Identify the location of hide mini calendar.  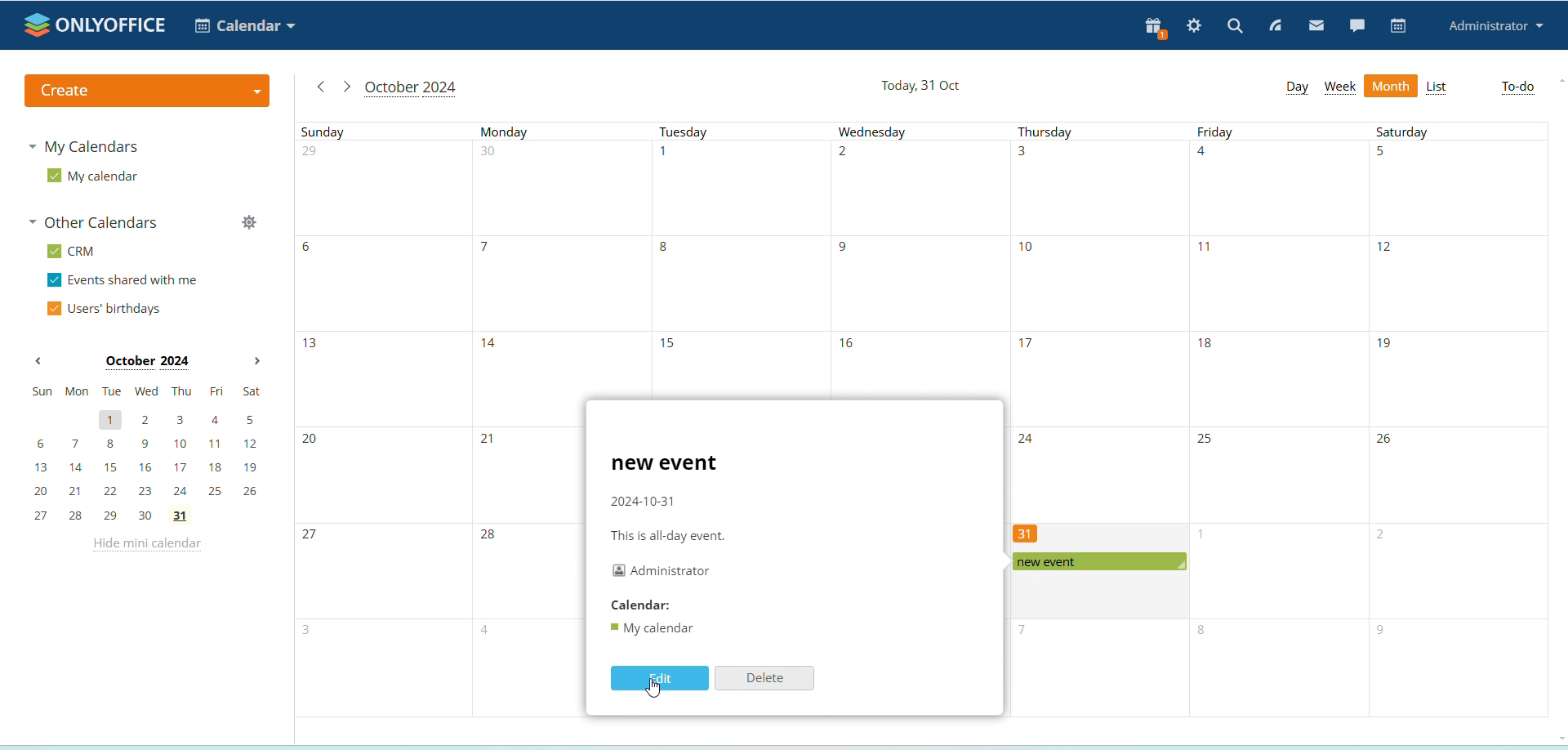
(145, 547).